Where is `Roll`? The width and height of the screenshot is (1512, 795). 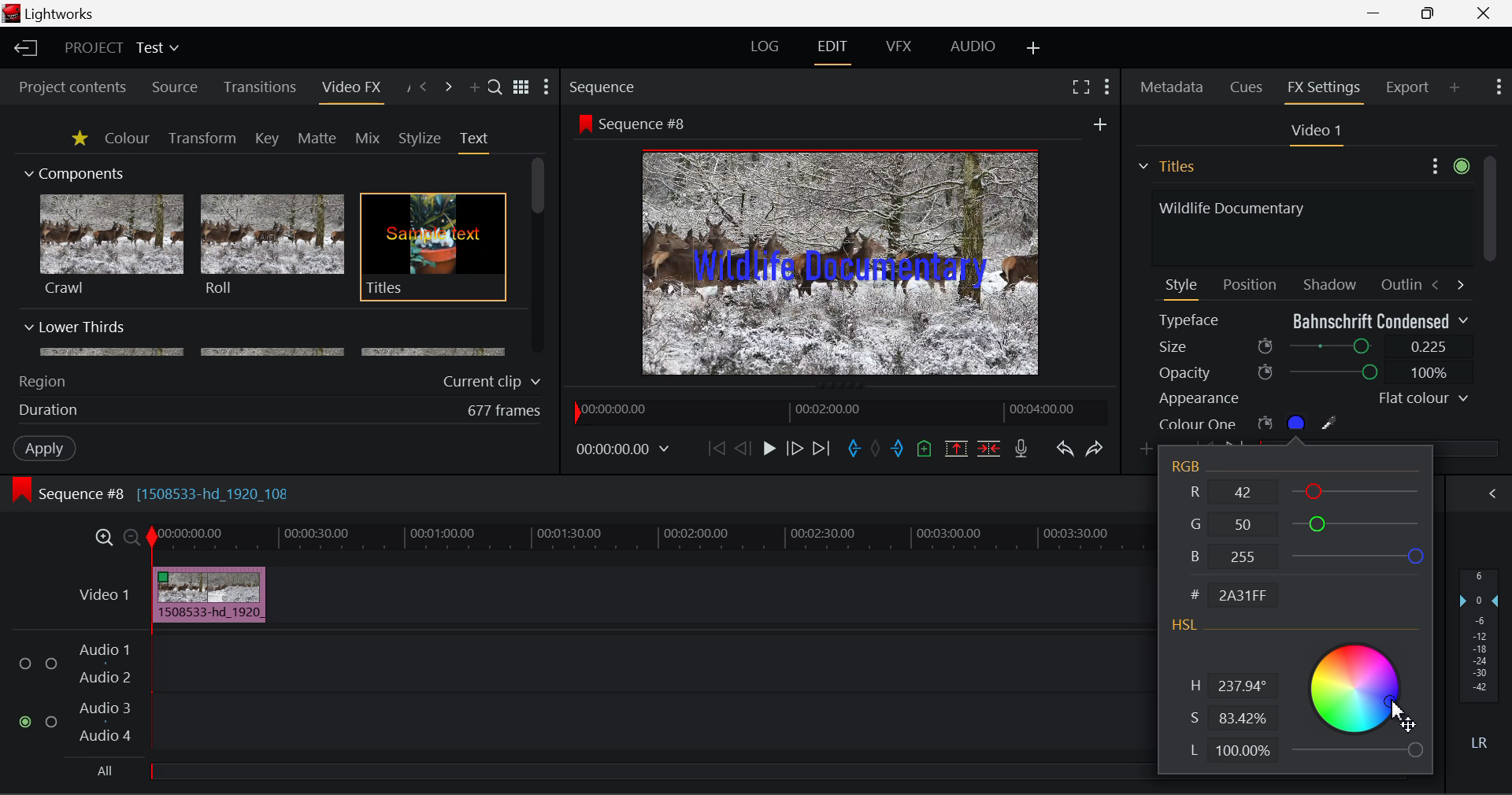 Roll is located at coordinates (271, 246).